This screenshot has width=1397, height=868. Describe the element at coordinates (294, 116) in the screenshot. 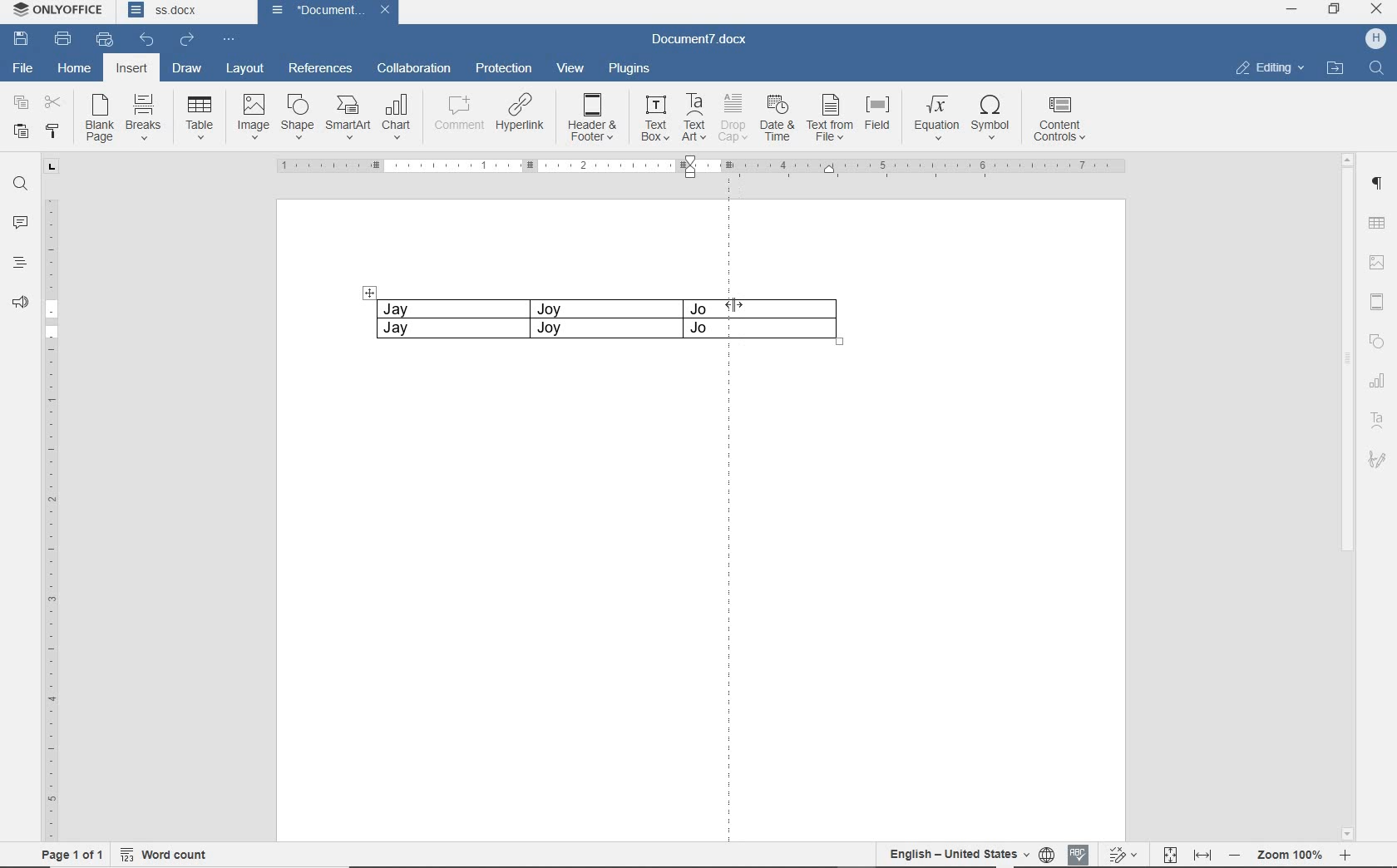

I see `SHAPE` at that location.